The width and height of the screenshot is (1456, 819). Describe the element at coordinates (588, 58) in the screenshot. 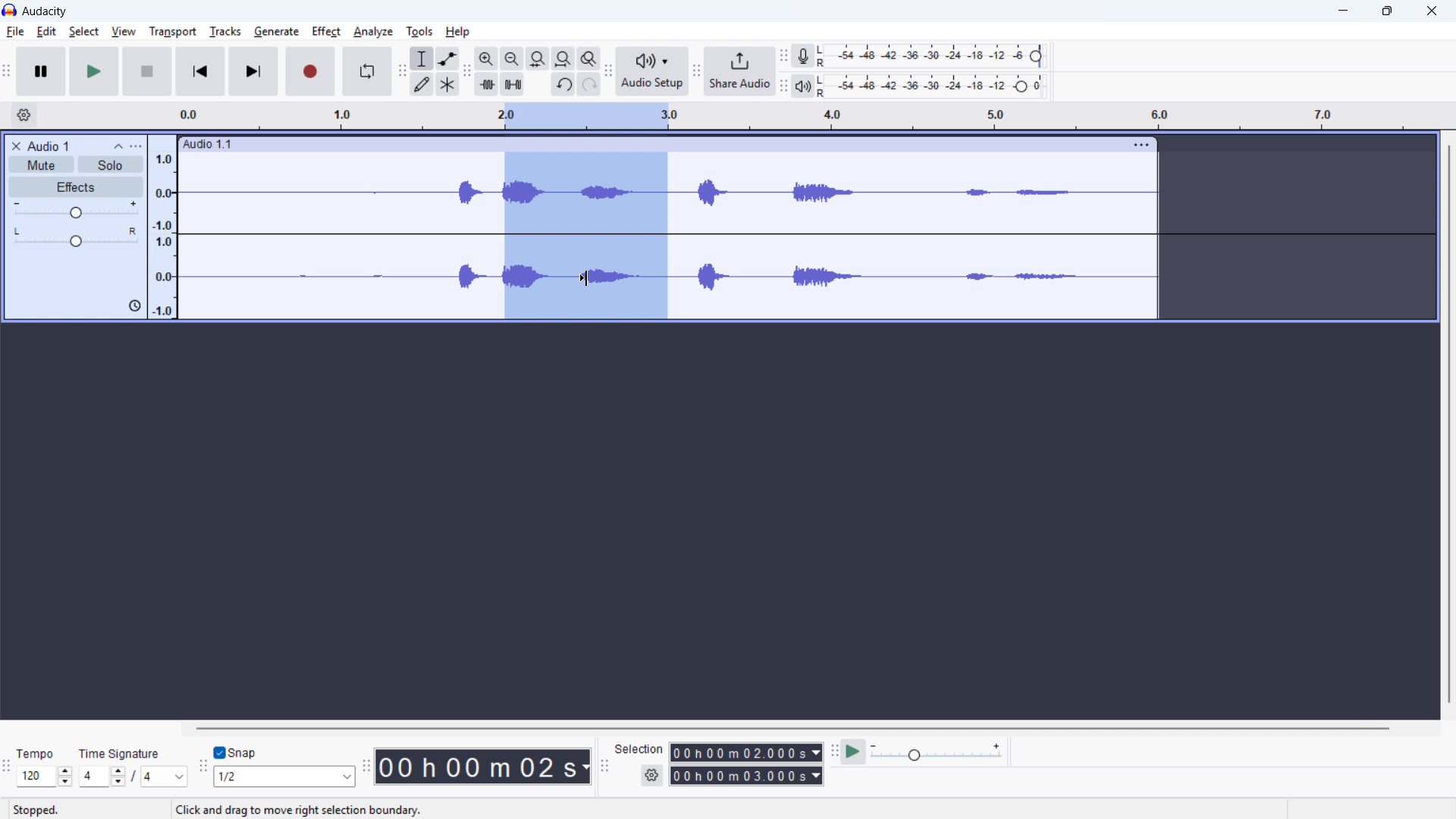

I see `Toggle zoom` at that location.